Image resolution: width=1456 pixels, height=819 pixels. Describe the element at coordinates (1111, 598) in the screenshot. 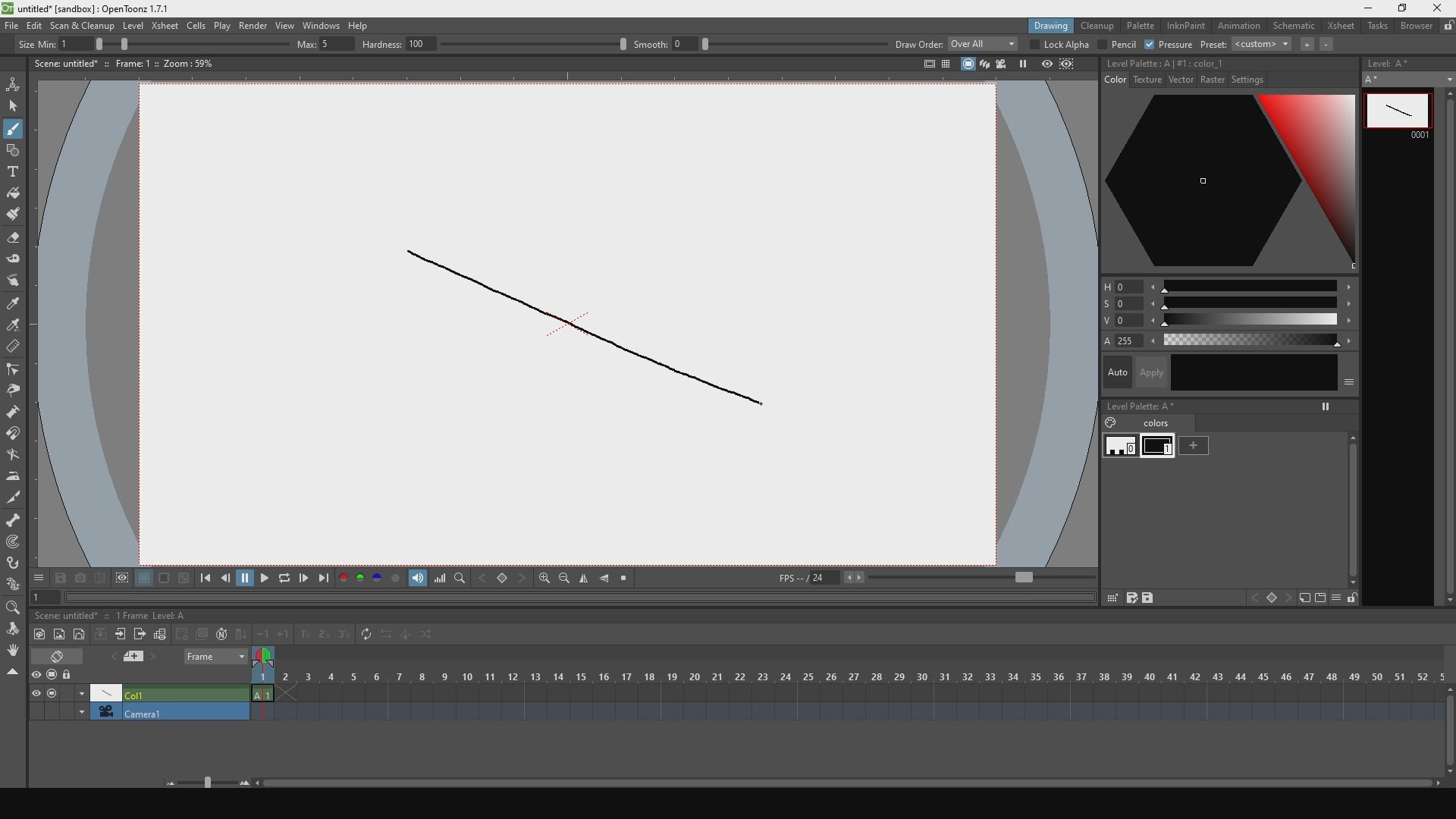

I see `grid` at that location.